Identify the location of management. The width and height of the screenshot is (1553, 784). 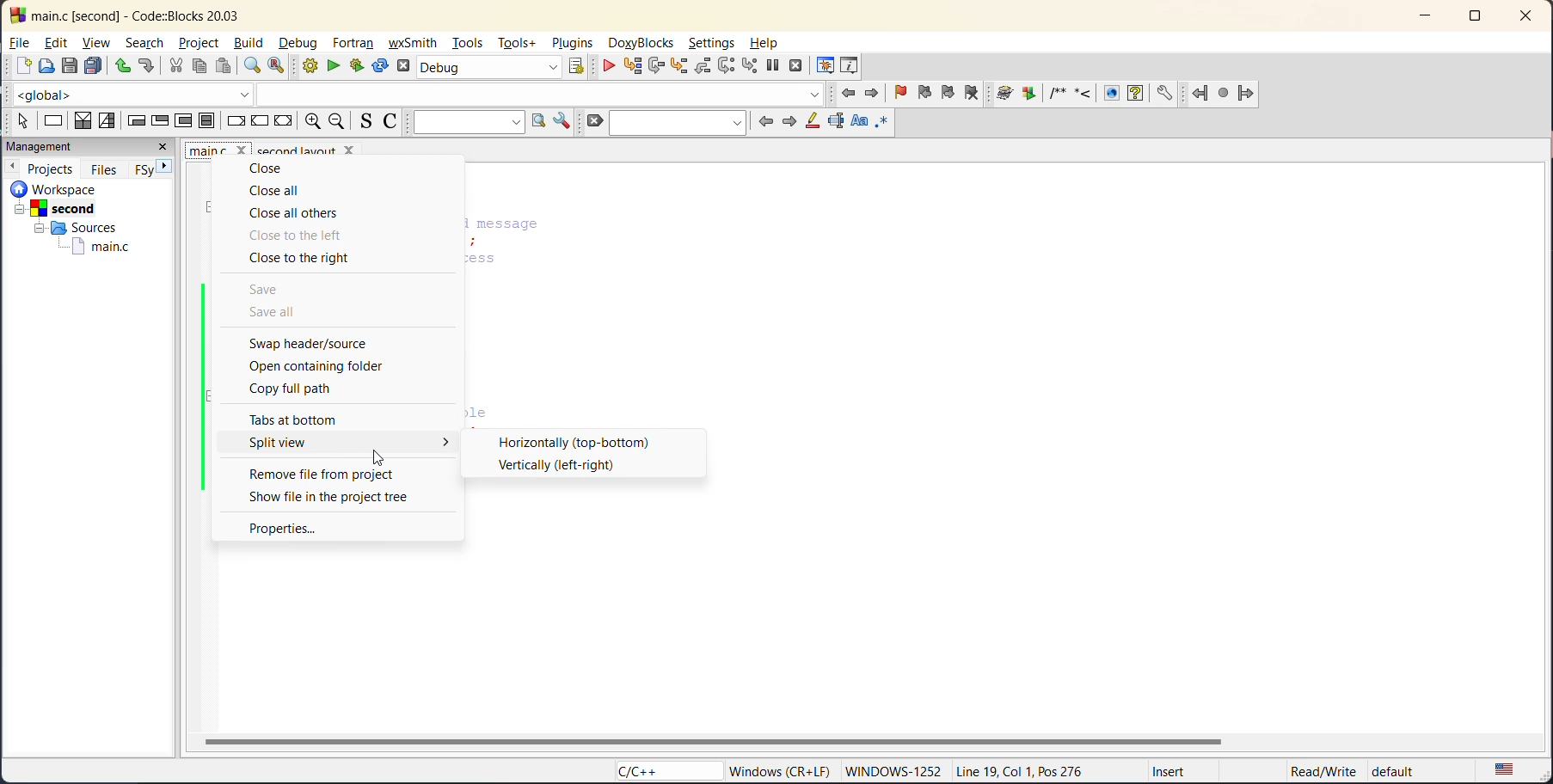
(40, 147).